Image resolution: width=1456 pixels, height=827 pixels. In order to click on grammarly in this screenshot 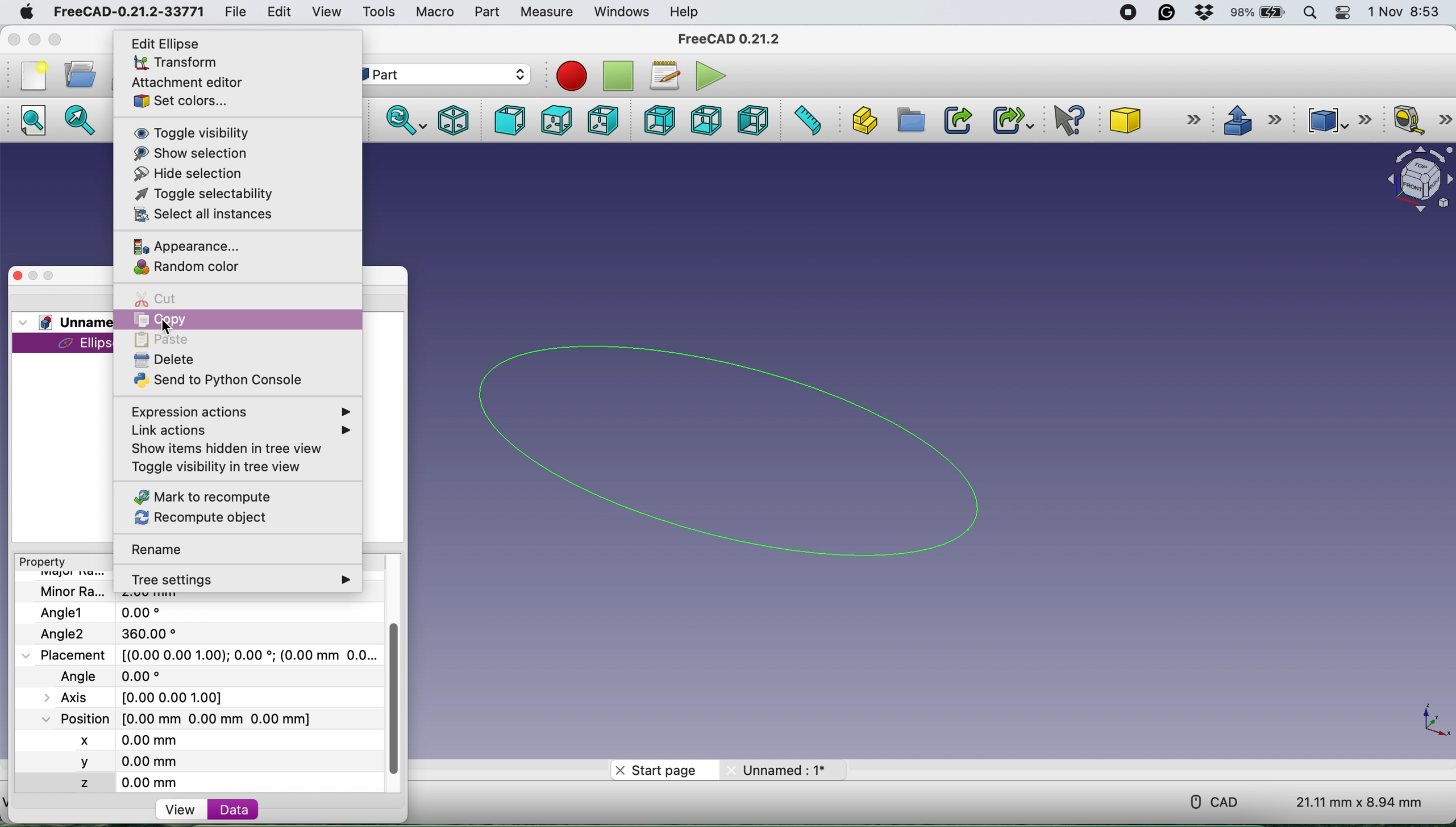, I will do `click(1168, 12)`.